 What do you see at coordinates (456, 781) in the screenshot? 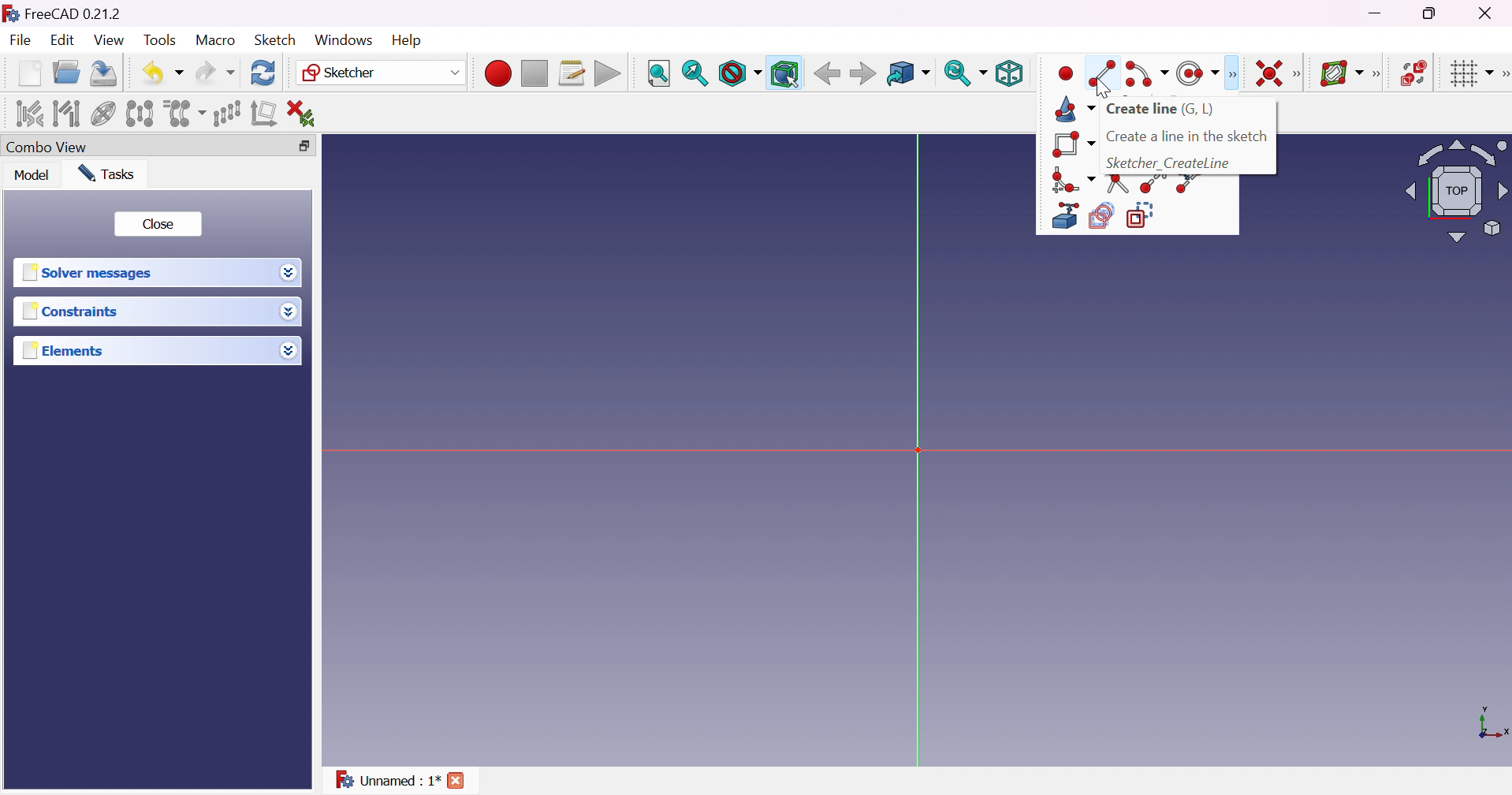
I see `Close` at bounding box center [456, 781].